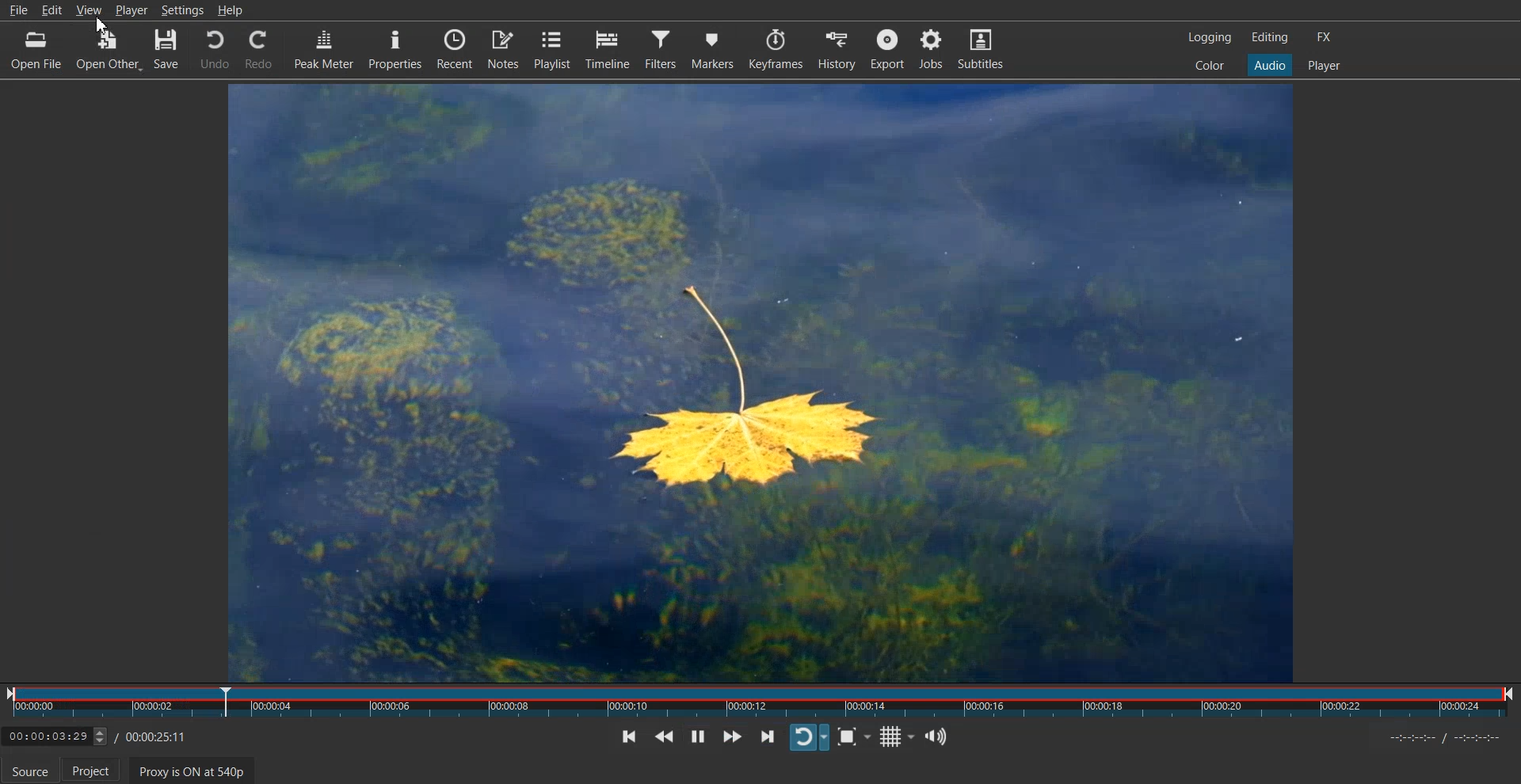  What do you see at coordinates (257, 49) in the screenshot?
I see `Redo` at bounding box center [257, 49].